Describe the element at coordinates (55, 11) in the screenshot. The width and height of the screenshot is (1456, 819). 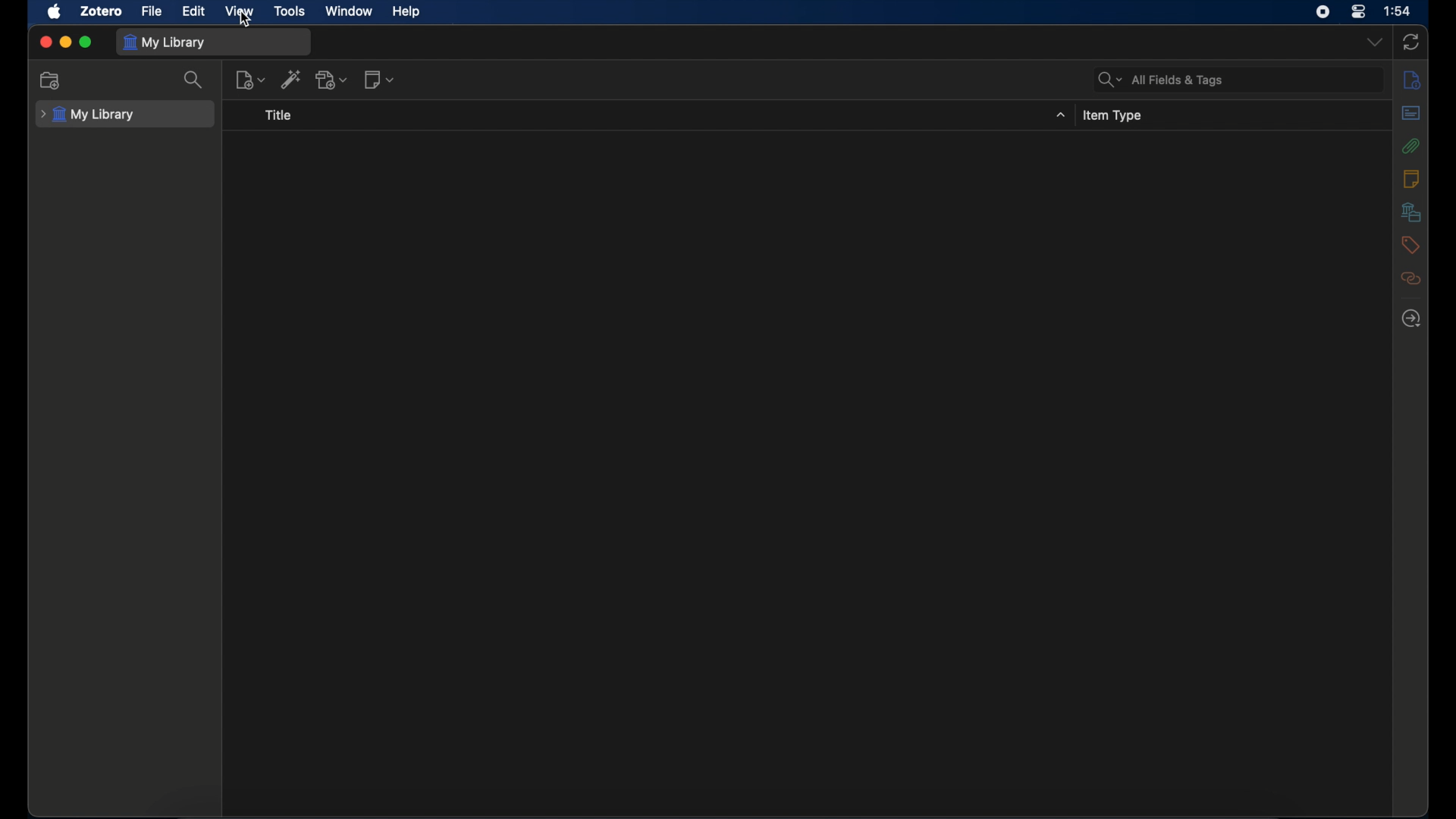
I see `apple icon` at that location.